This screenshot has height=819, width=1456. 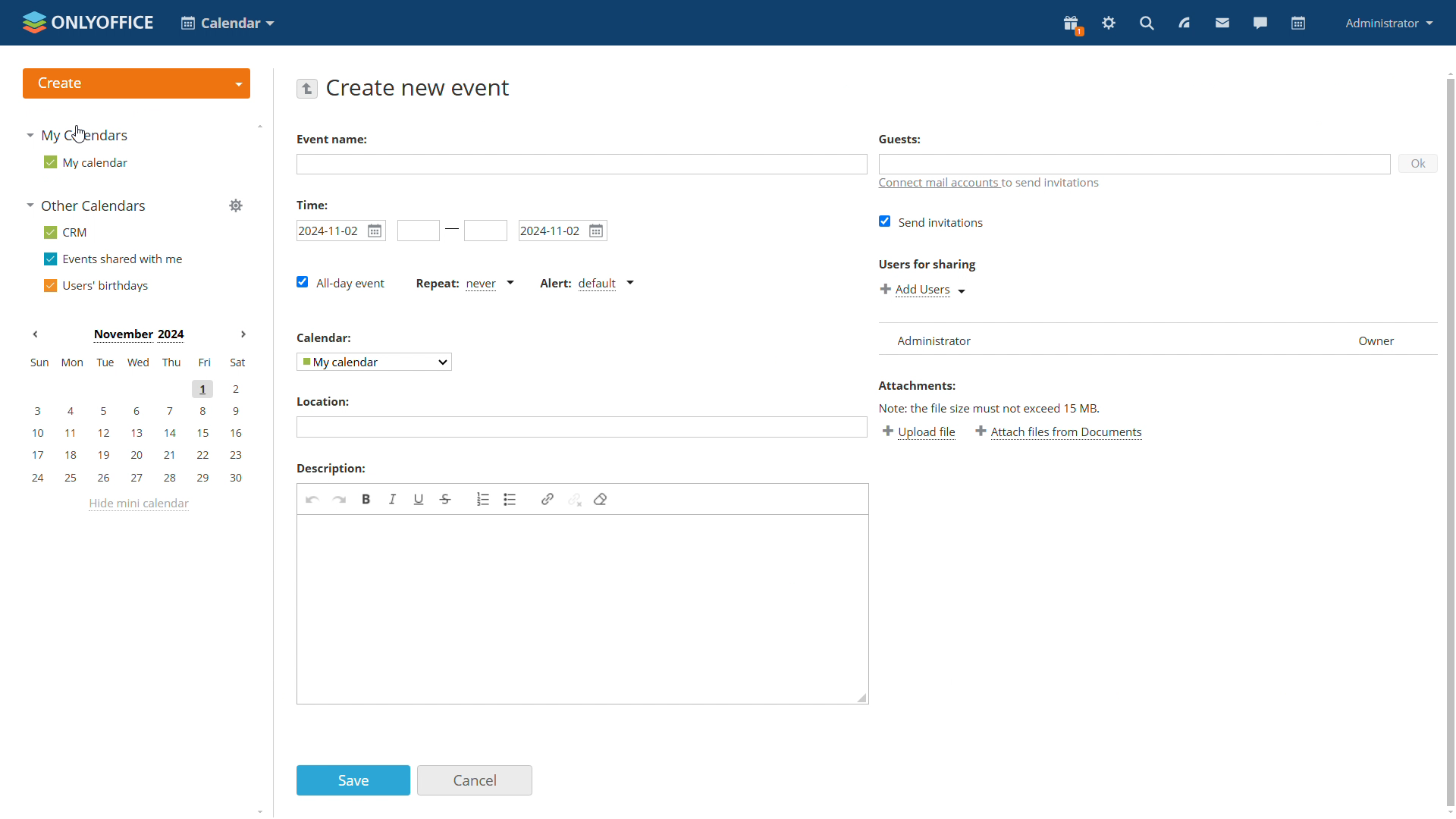 I want to click on event repetition, so click(x=464, y=284).